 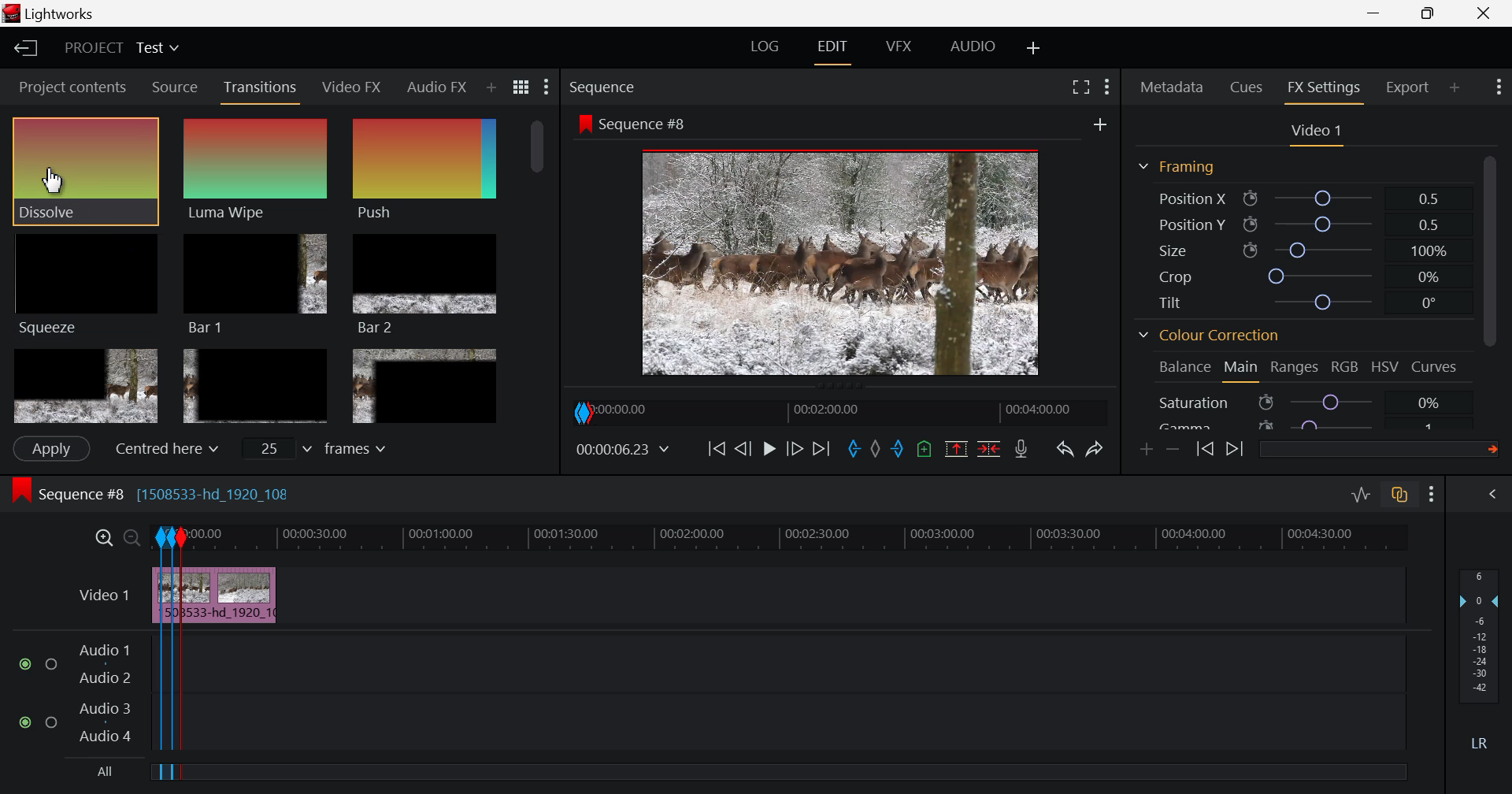 I want to click on Balance, so click(x=1185, y=368).